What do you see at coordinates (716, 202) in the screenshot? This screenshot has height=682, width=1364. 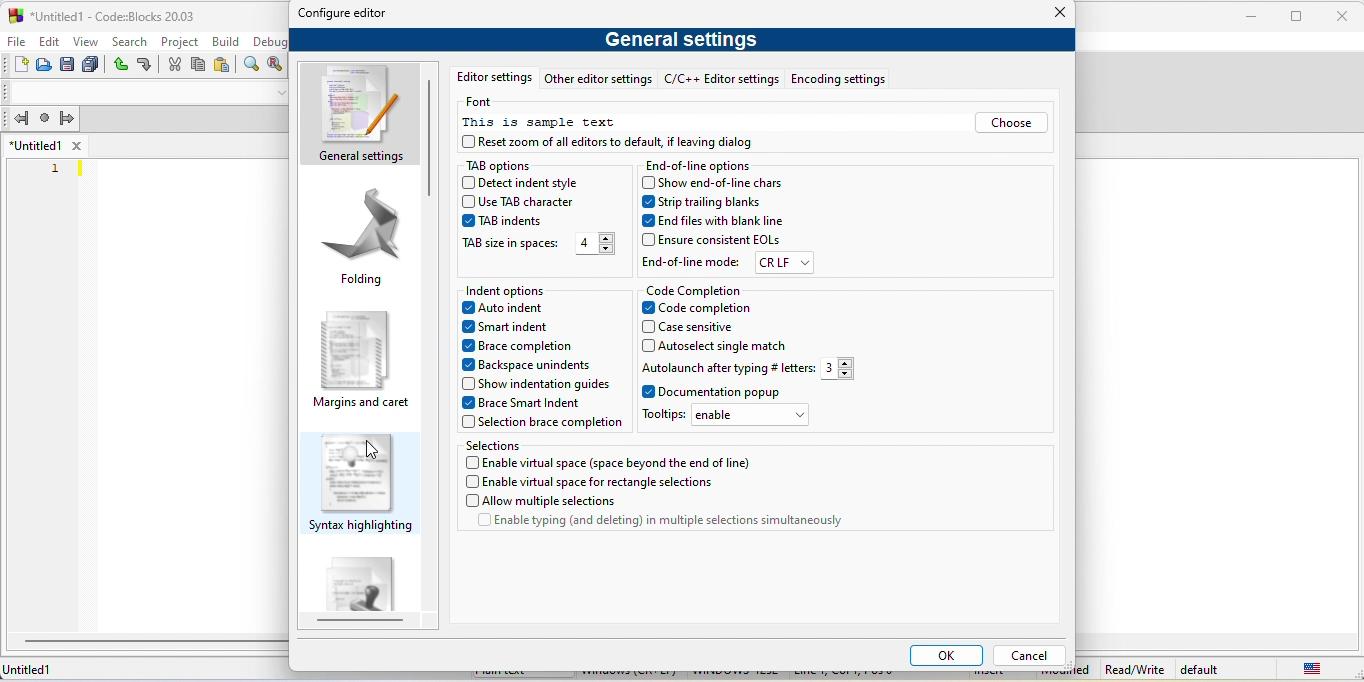 I see `strip trailing blanks` at bounding box center [716, 202].